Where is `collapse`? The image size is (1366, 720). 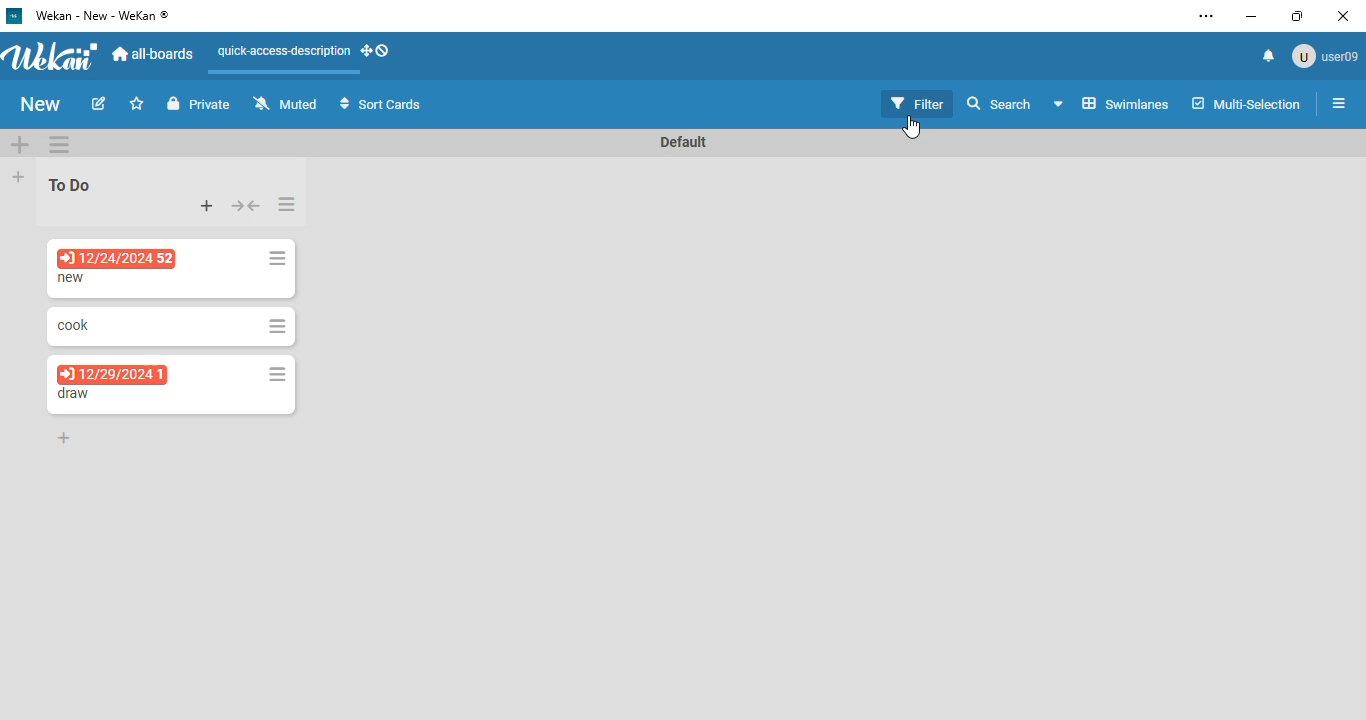 collapse is located at coordinates (246, 206).